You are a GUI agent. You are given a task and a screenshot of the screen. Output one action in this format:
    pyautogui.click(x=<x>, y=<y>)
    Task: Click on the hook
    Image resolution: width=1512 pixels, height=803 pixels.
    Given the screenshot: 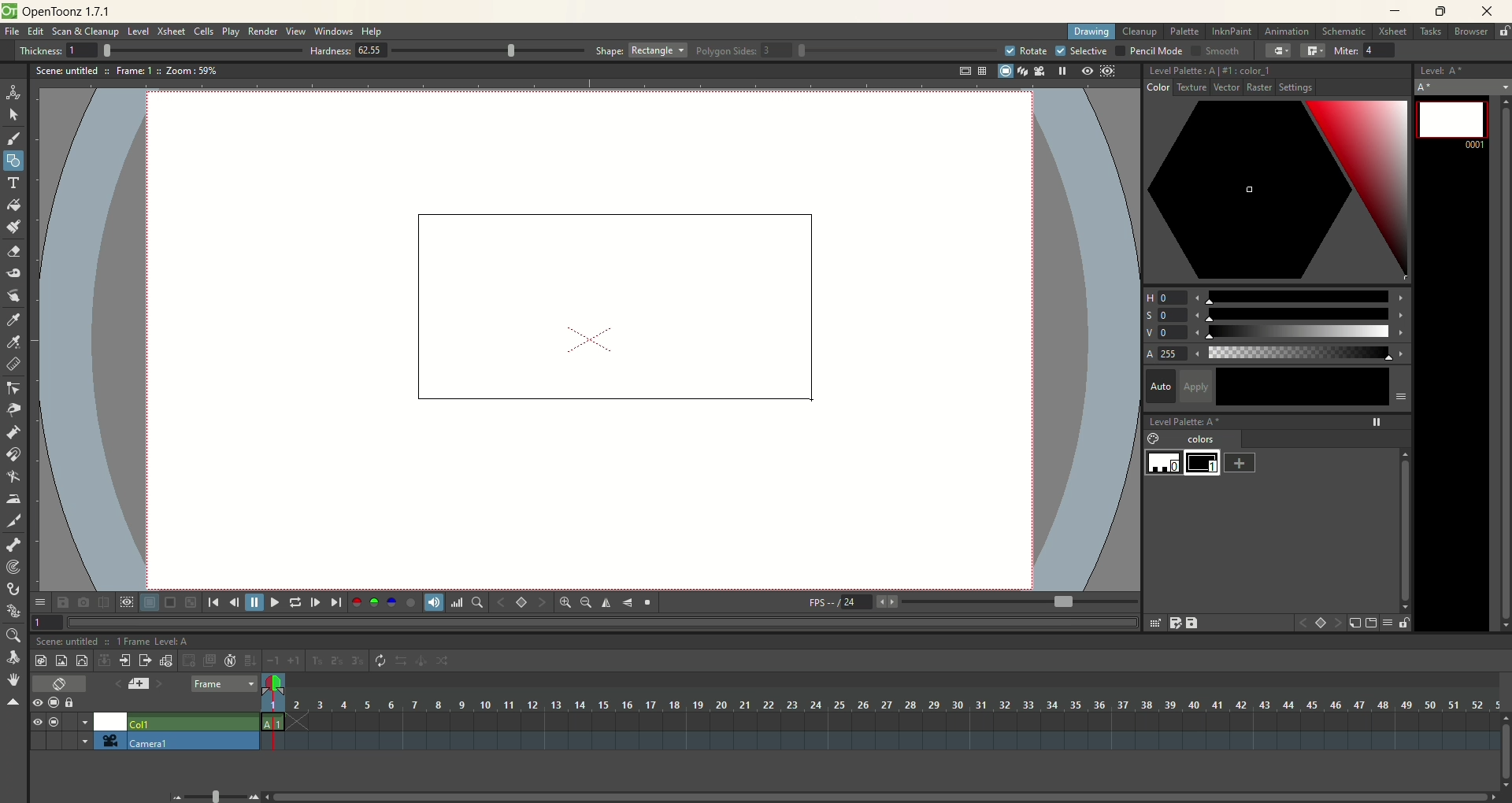 What is the action you would take?
    pyautogui.click(x=15, y=590)
    